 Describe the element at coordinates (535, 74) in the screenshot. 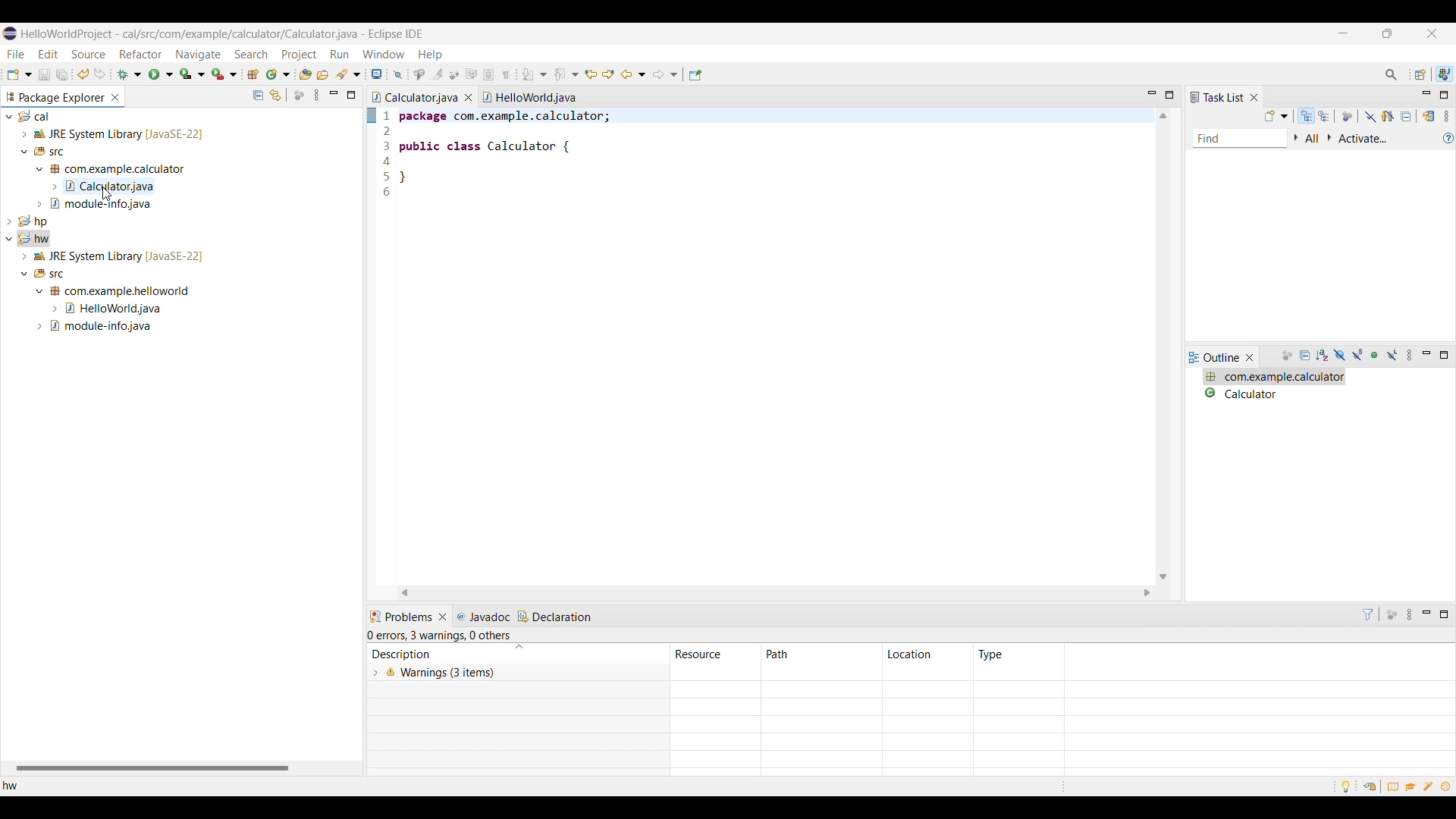

I see `Next annotation options` at that location.